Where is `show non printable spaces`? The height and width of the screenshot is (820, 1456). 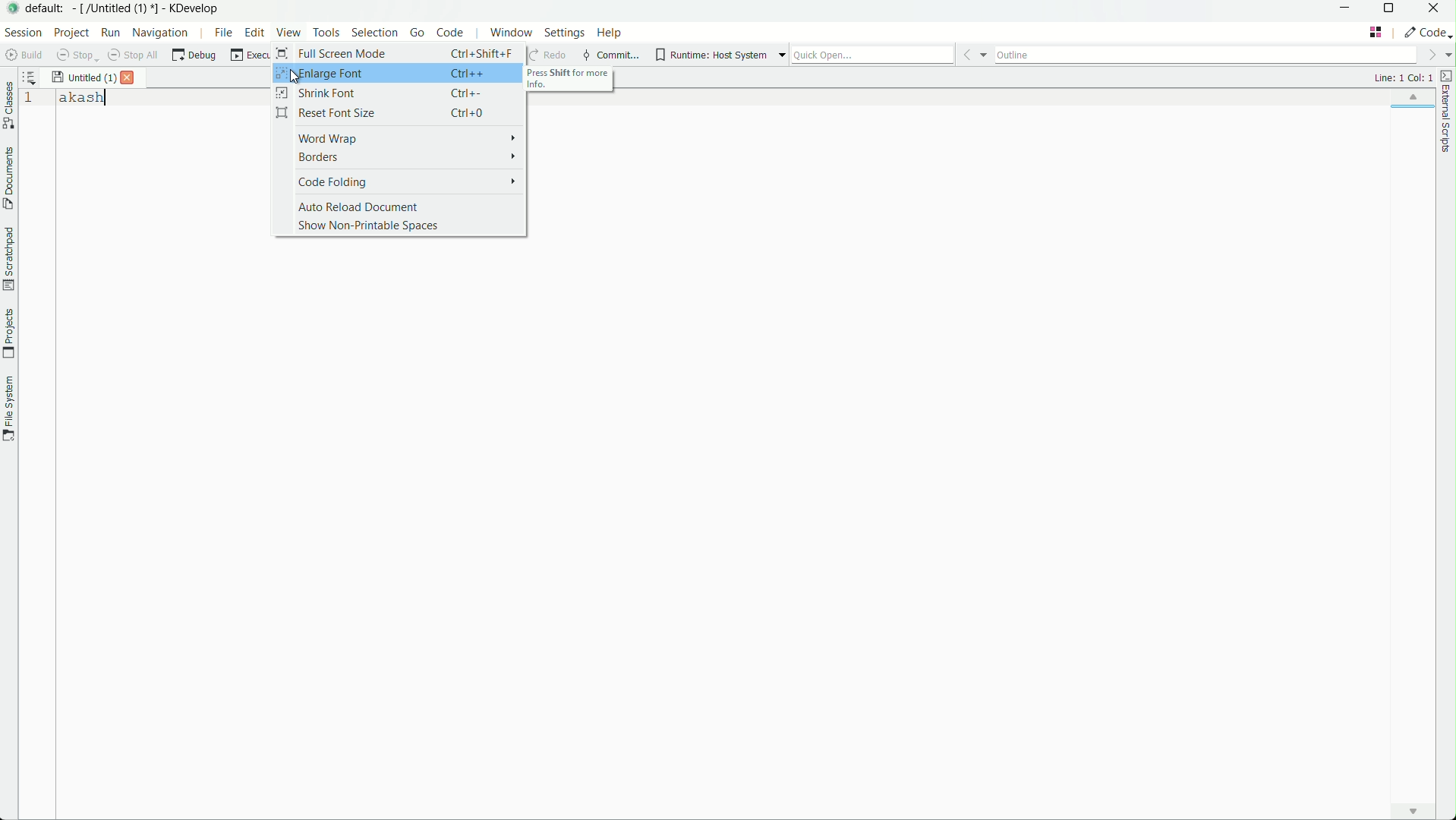
show non printable spaces is located at coordinates (399, 227).